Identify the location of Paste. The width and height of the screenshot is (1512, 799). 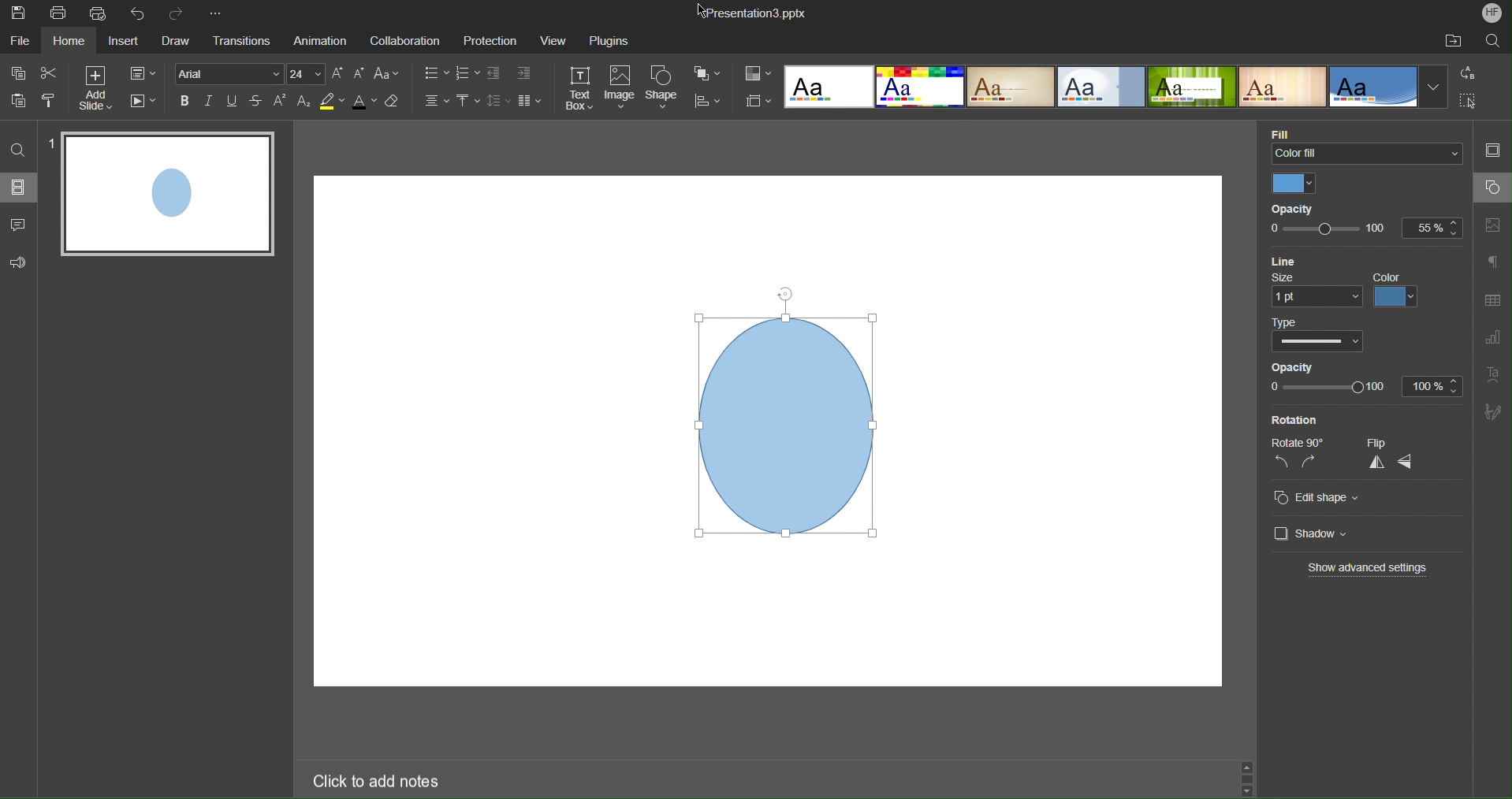
(20, 101).